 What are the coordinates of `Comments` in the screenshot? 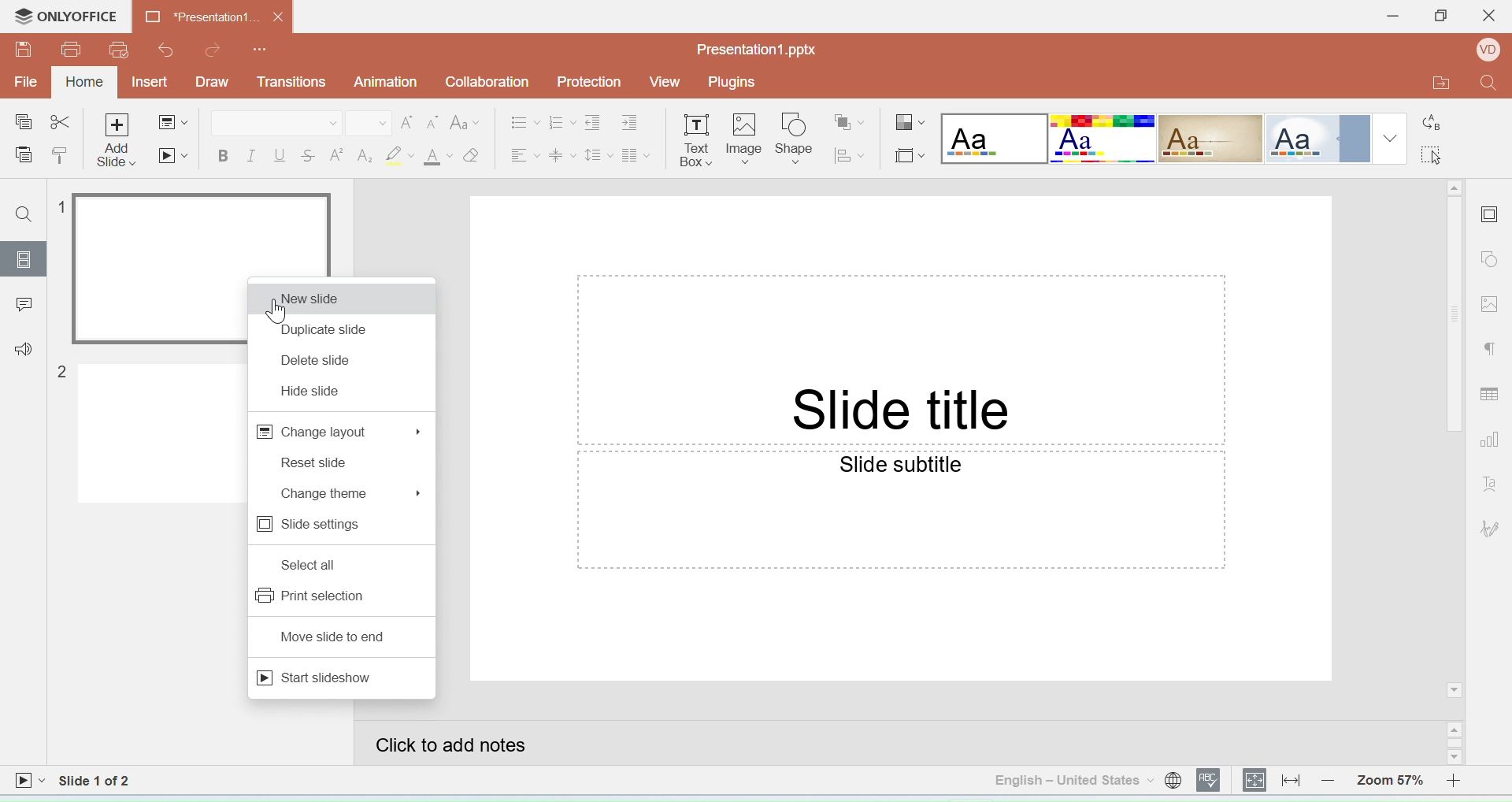 It's located at (22, 302).